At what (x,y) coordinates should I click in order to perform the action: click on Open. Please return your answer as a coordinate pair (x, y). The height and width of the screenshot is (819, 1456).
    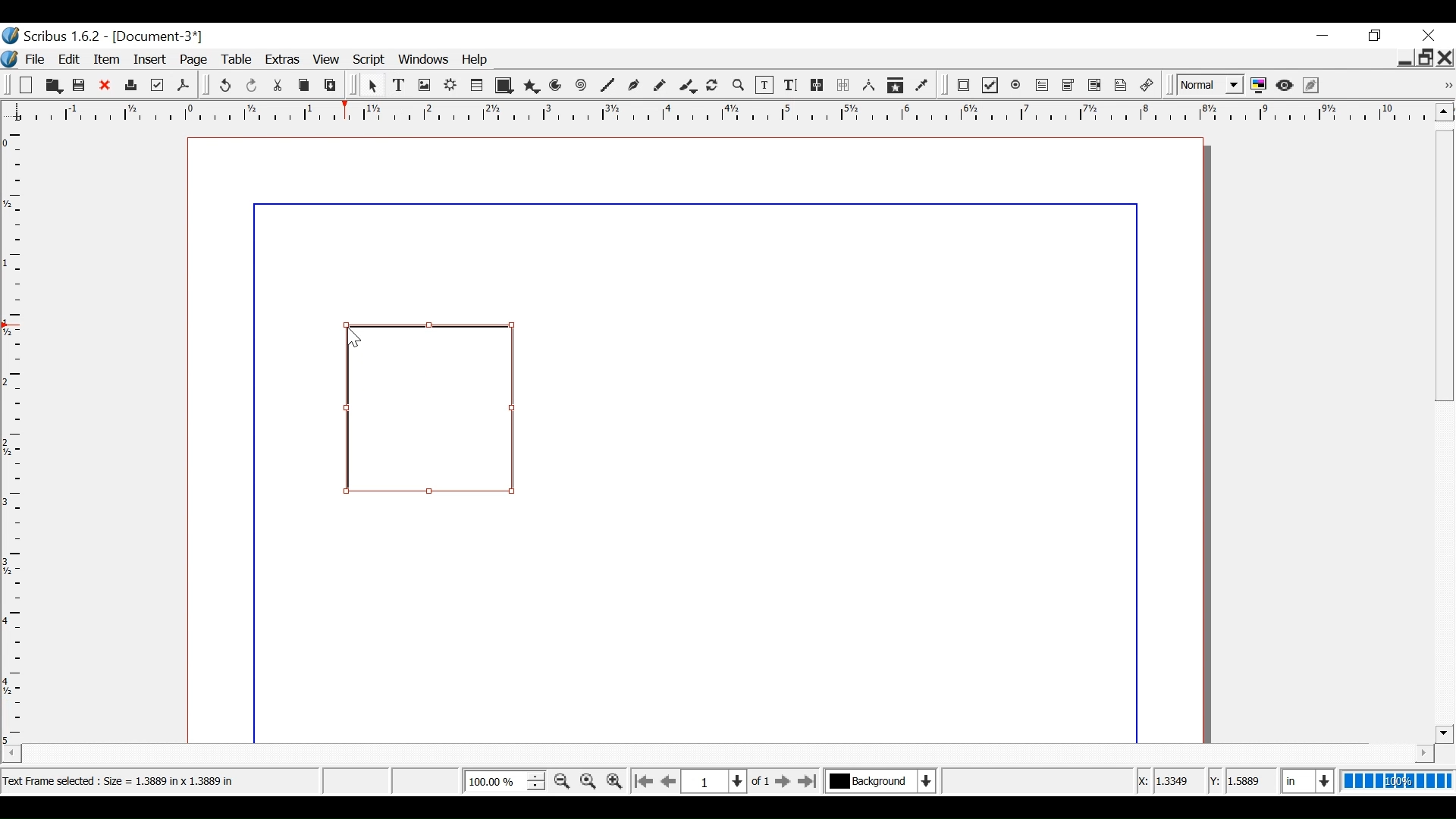
    Looking at the image, I should click on (52, 85).